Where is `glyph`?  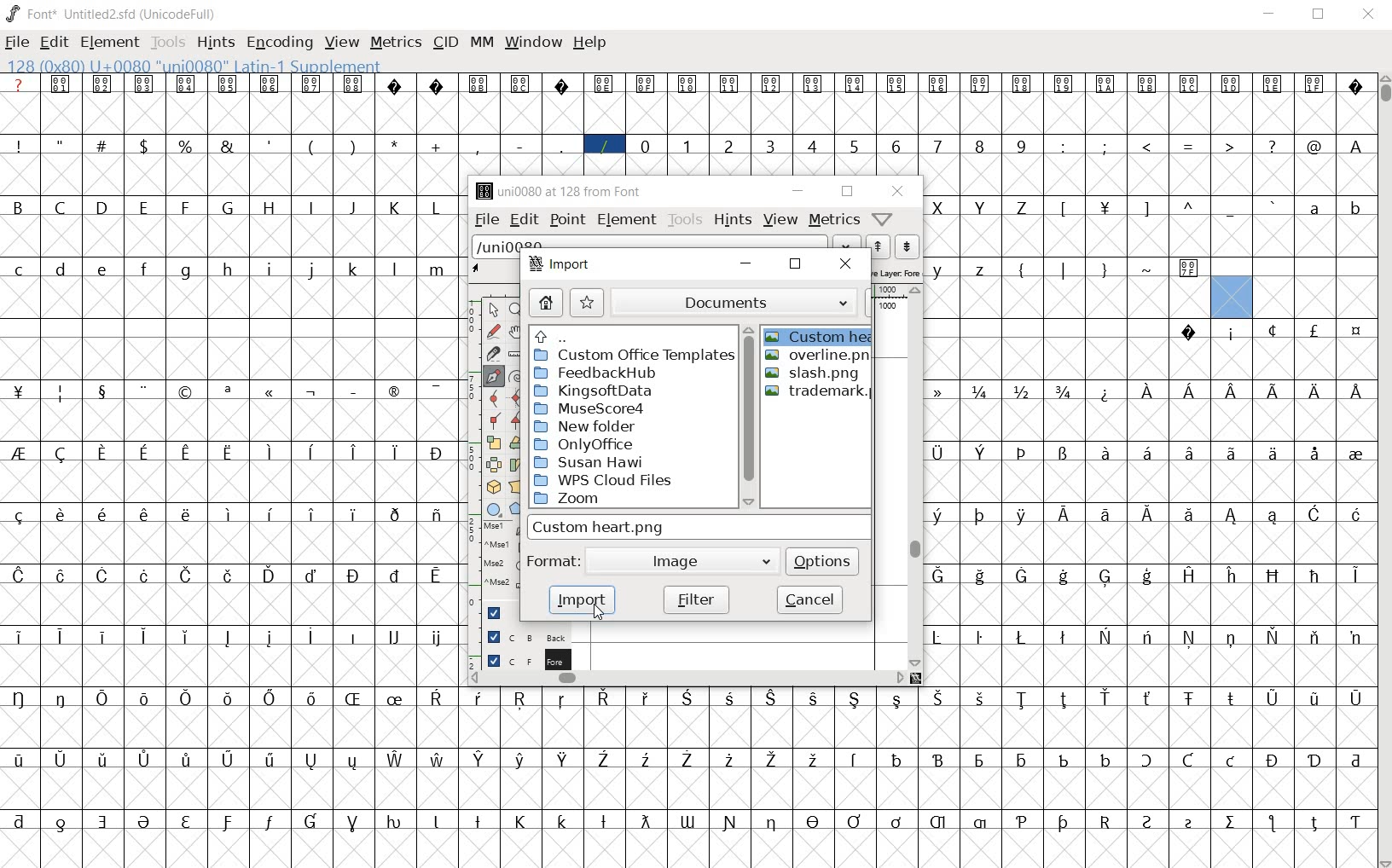 glyph is located at coordinates (1064, 85).